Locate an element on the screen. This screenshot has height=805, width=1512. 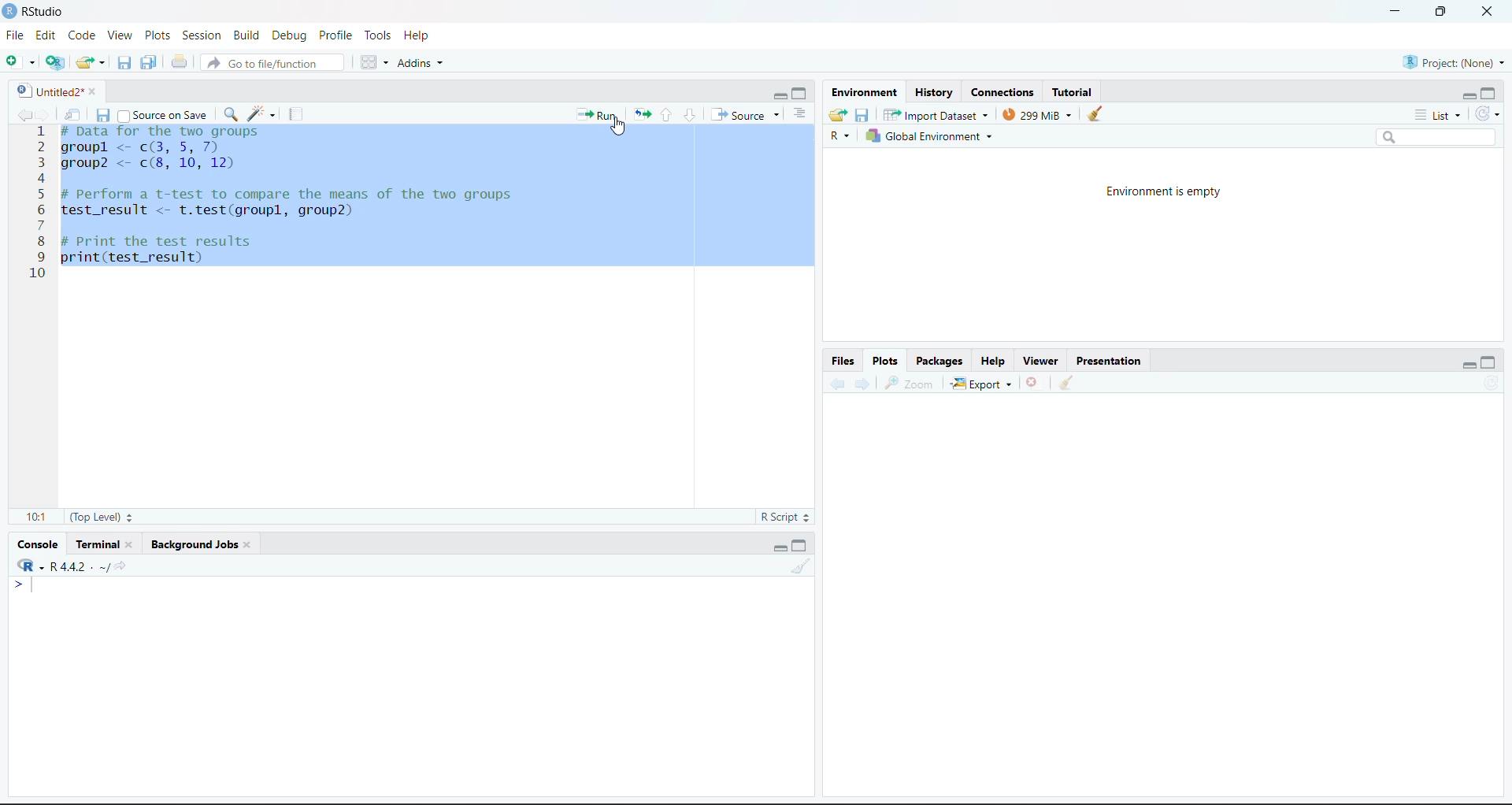
Console is located at coordinates (38, 544).